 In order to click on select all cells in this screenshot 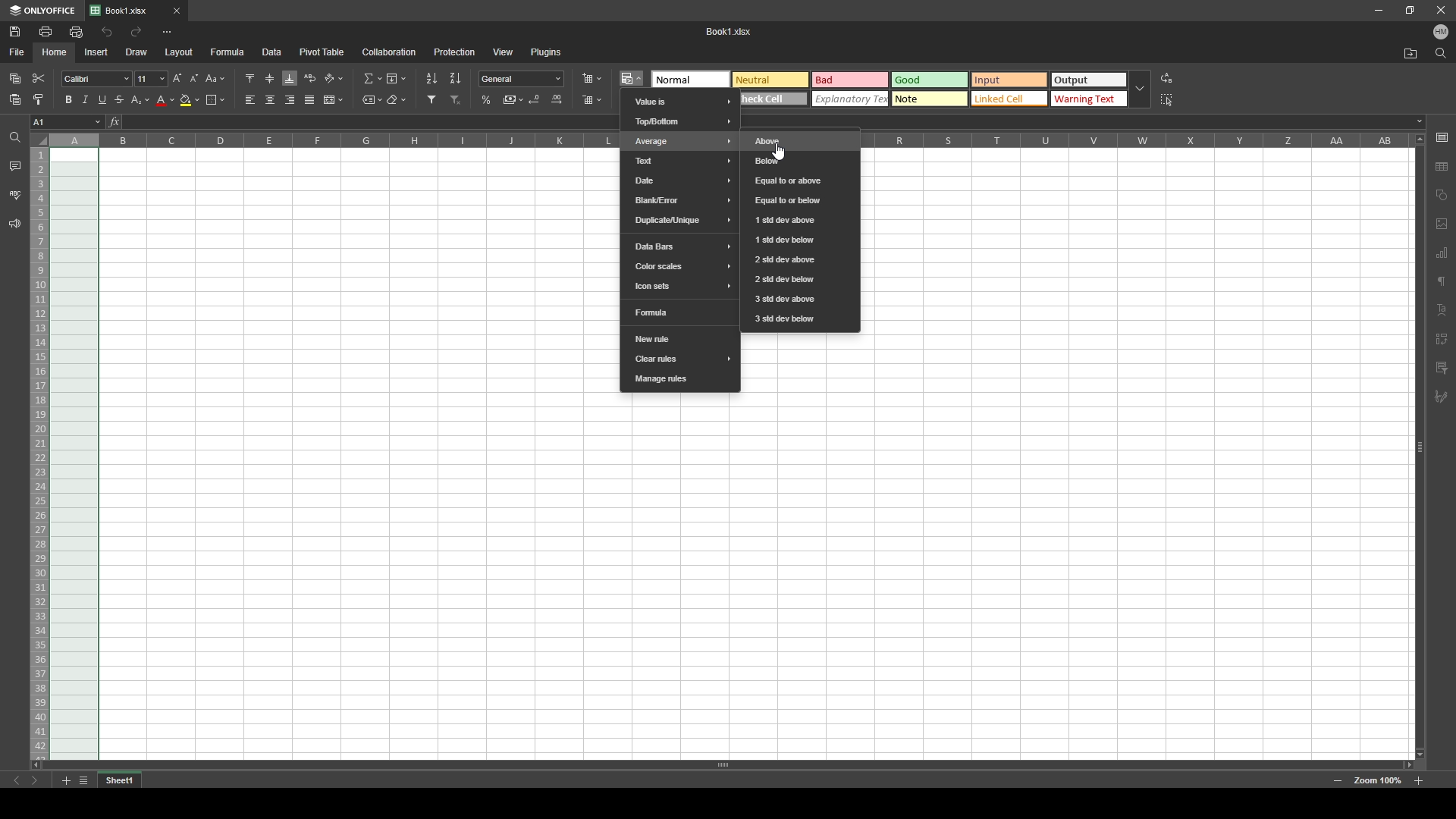, I will do `click(39, 139)`.